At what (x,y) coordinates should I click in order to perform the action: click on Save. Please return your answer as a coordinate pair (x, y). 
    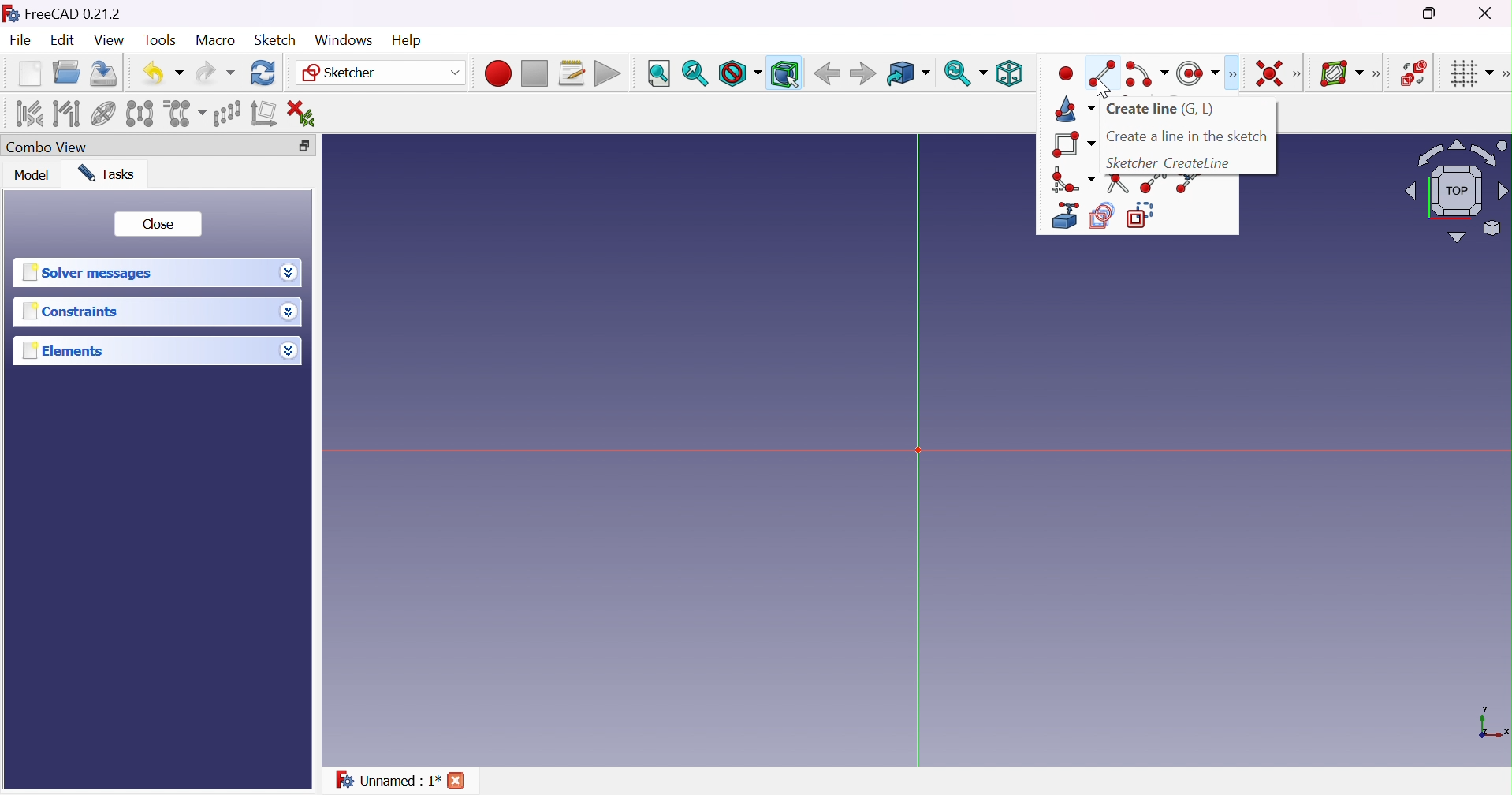
    Looking at the image, I should click on (106, 73).